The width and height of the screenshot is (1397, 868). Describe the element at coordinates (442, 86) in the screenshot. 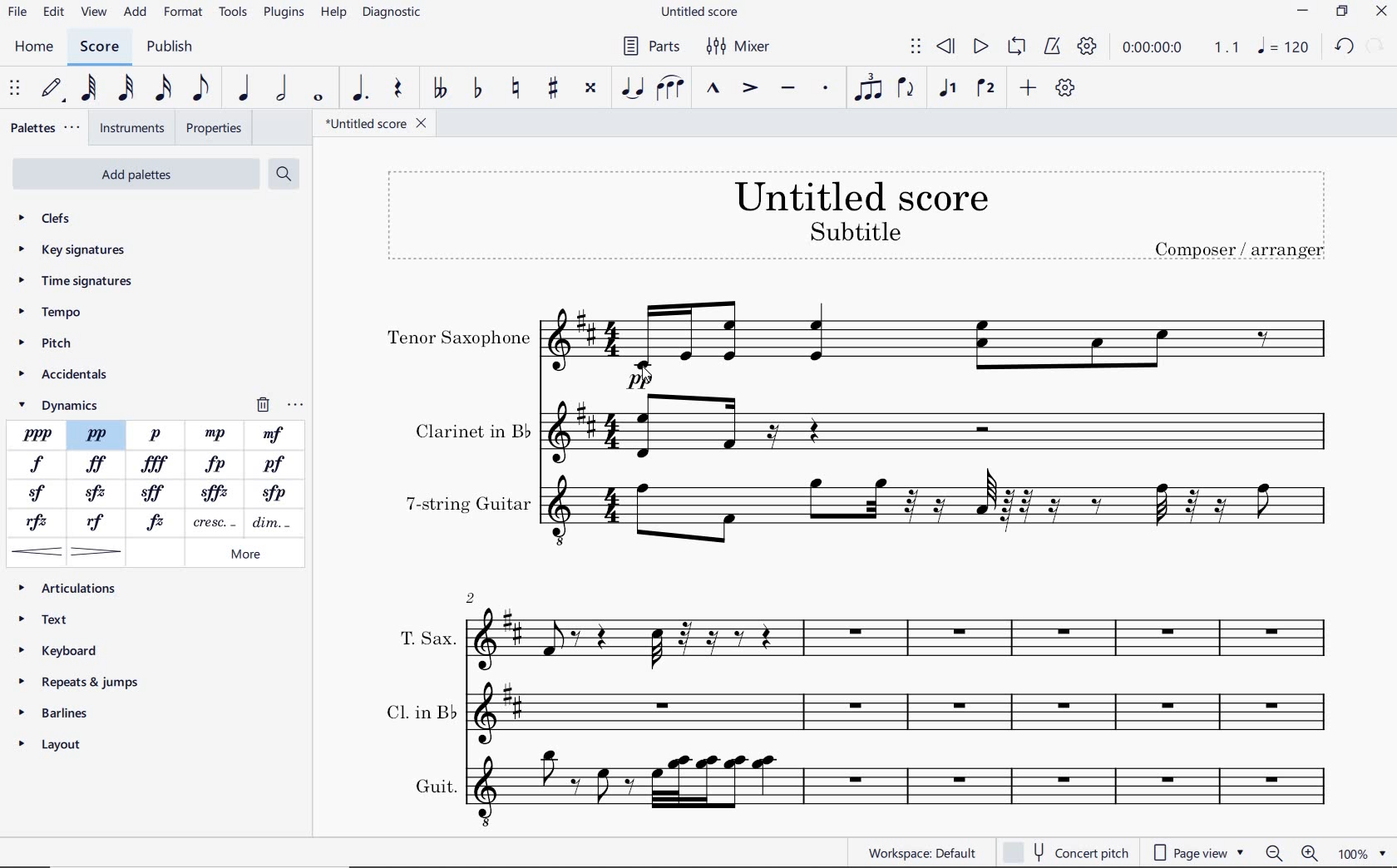

I see `TOGGLE DOUBLE-FLAT` at that location.